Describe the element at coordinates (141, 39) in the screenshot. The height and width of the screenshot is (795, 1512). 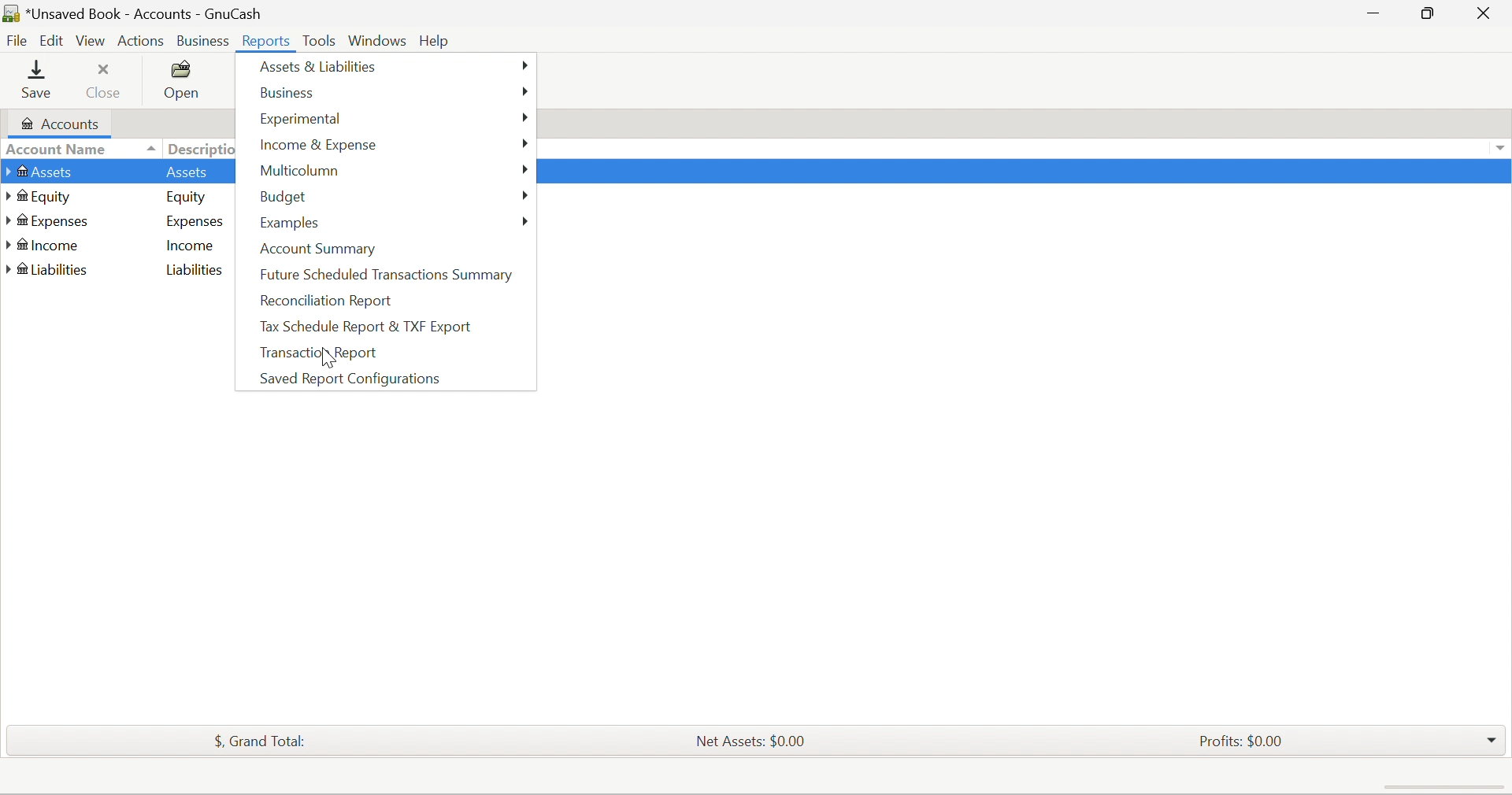
I see `Actions` at that location.